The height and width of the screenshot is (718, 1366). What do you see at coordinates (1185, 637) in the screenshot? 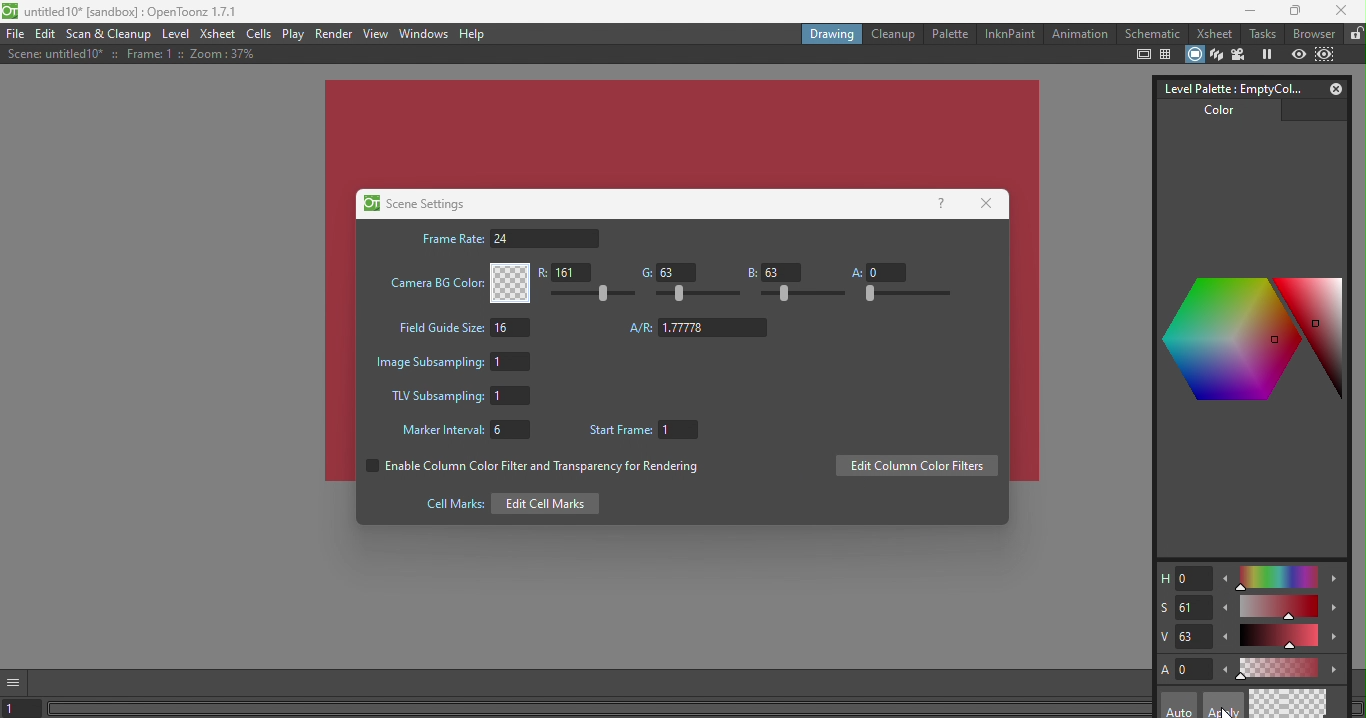
I see `V` at bounding box center [1185, 637].